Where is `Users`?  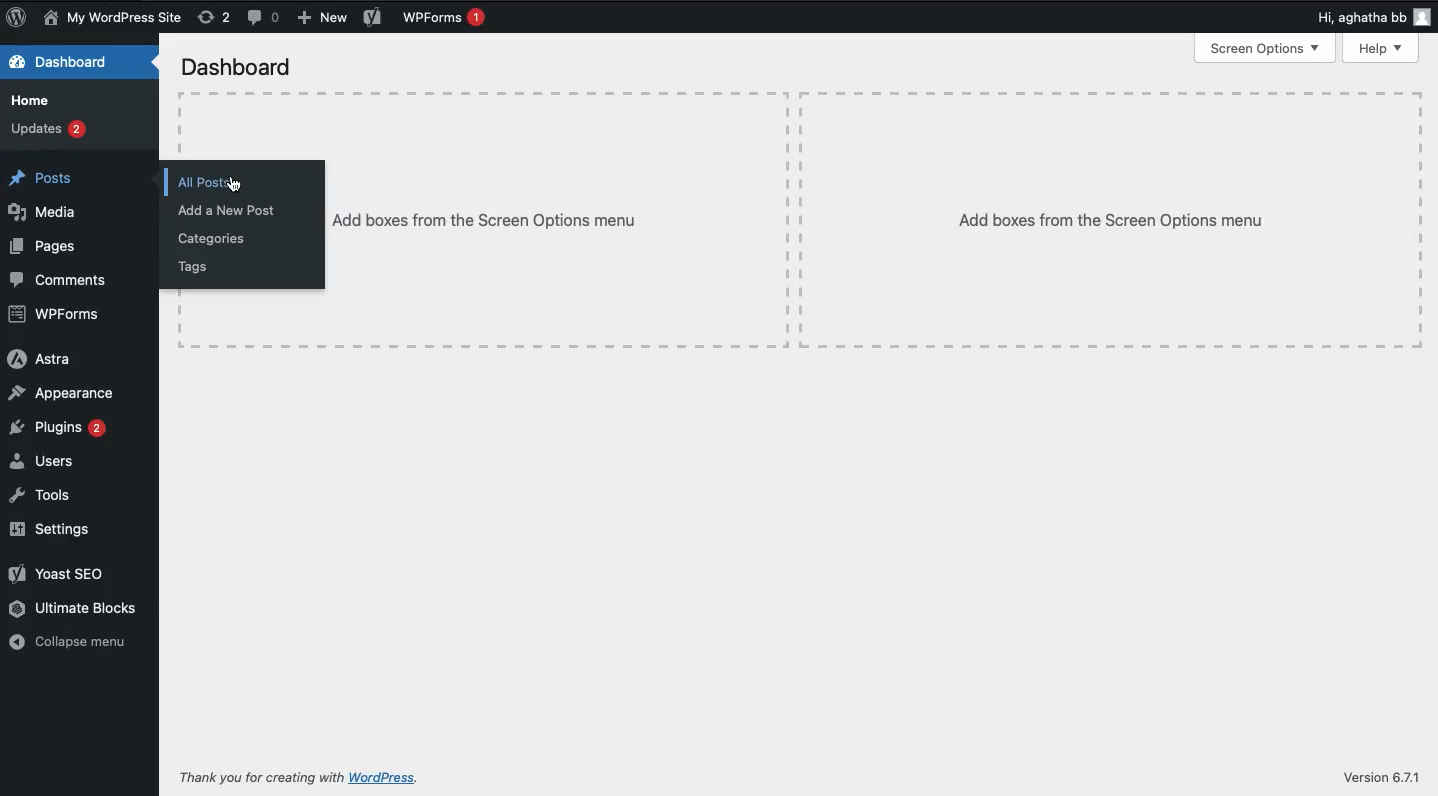
Users is located at coordinates (42, 463).